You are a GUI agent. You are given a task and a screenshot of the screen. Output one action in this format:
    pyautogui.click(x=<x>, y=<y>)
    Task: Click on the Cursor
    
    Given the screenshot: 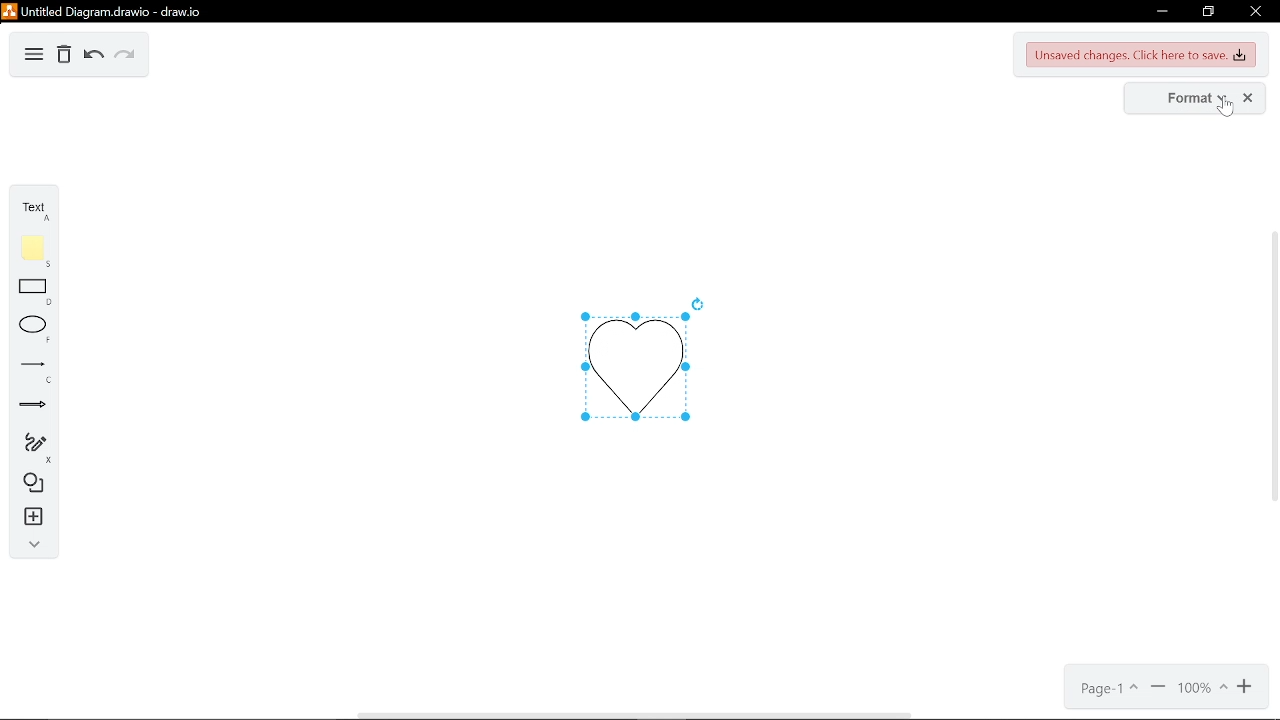 What is the action you would take?
    pyautogui.click(x=1224, y=108)
    